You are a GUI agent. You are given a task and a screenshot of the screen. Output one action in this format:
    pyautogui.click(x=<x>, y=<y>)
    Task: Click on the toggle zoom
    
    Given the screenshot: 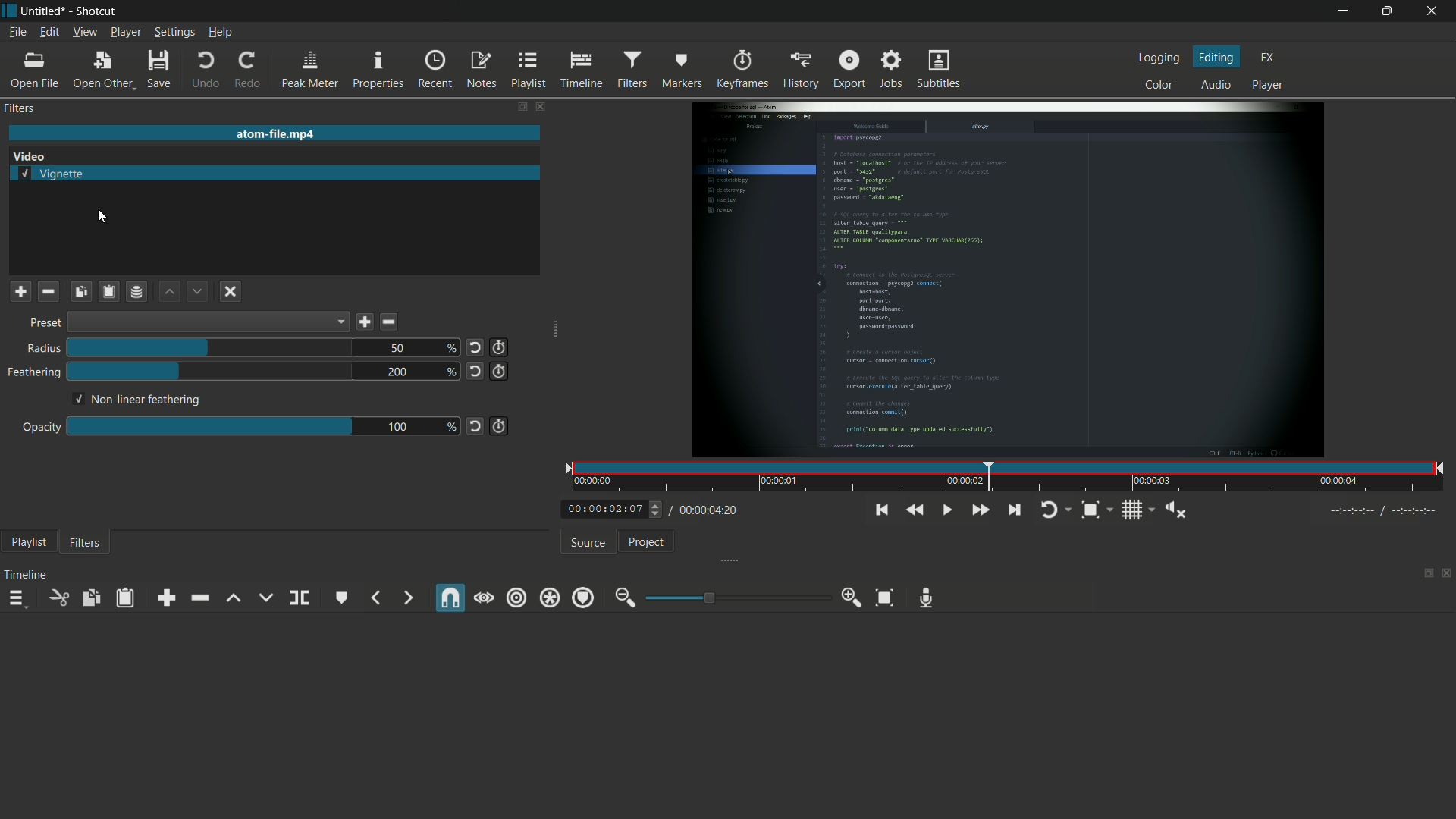 What is the action you would take?
    pyautogui.click(x=1097, y=510)
    